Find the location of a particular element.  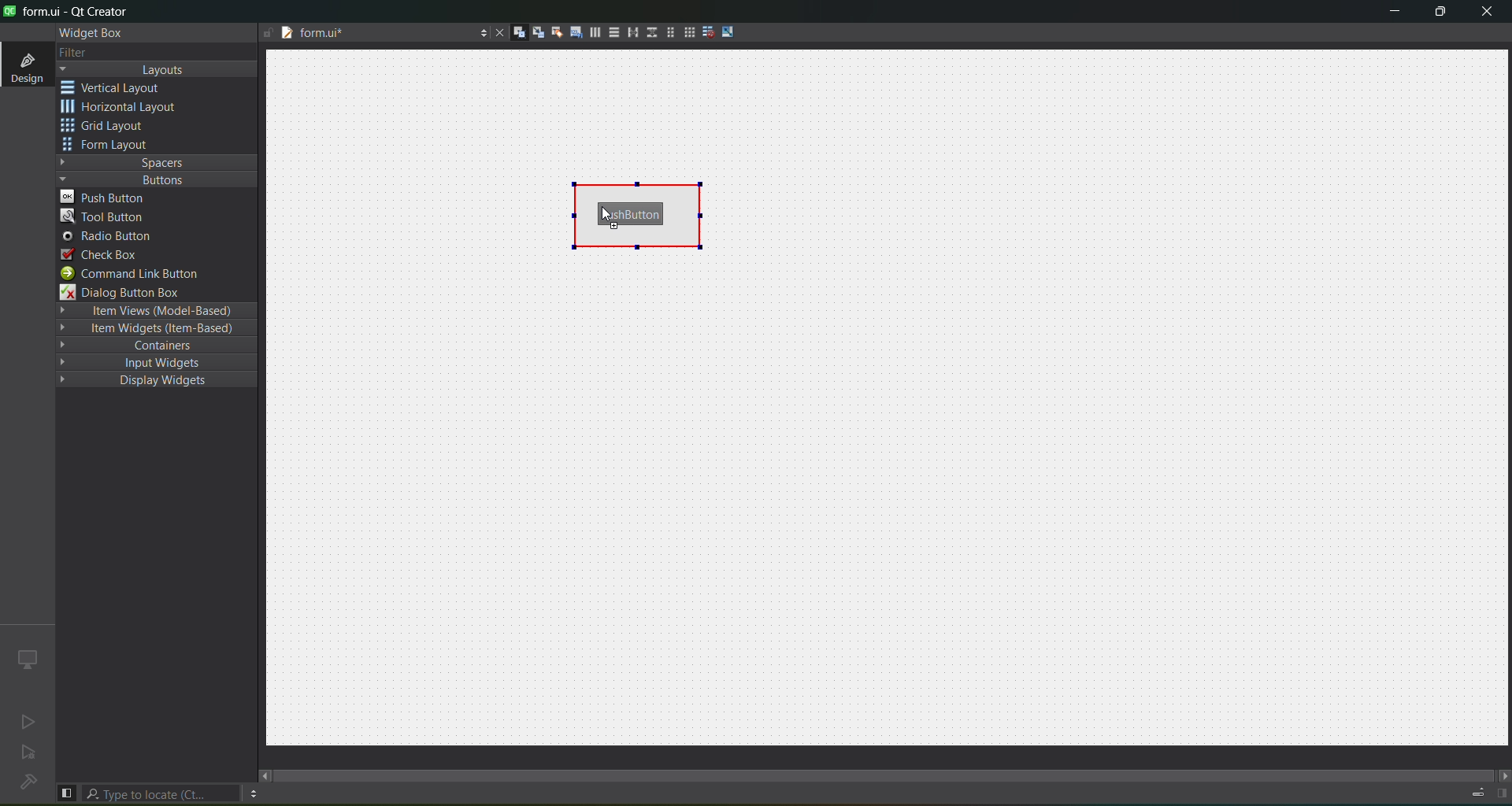

tool button is located at coordinates (104, 218).